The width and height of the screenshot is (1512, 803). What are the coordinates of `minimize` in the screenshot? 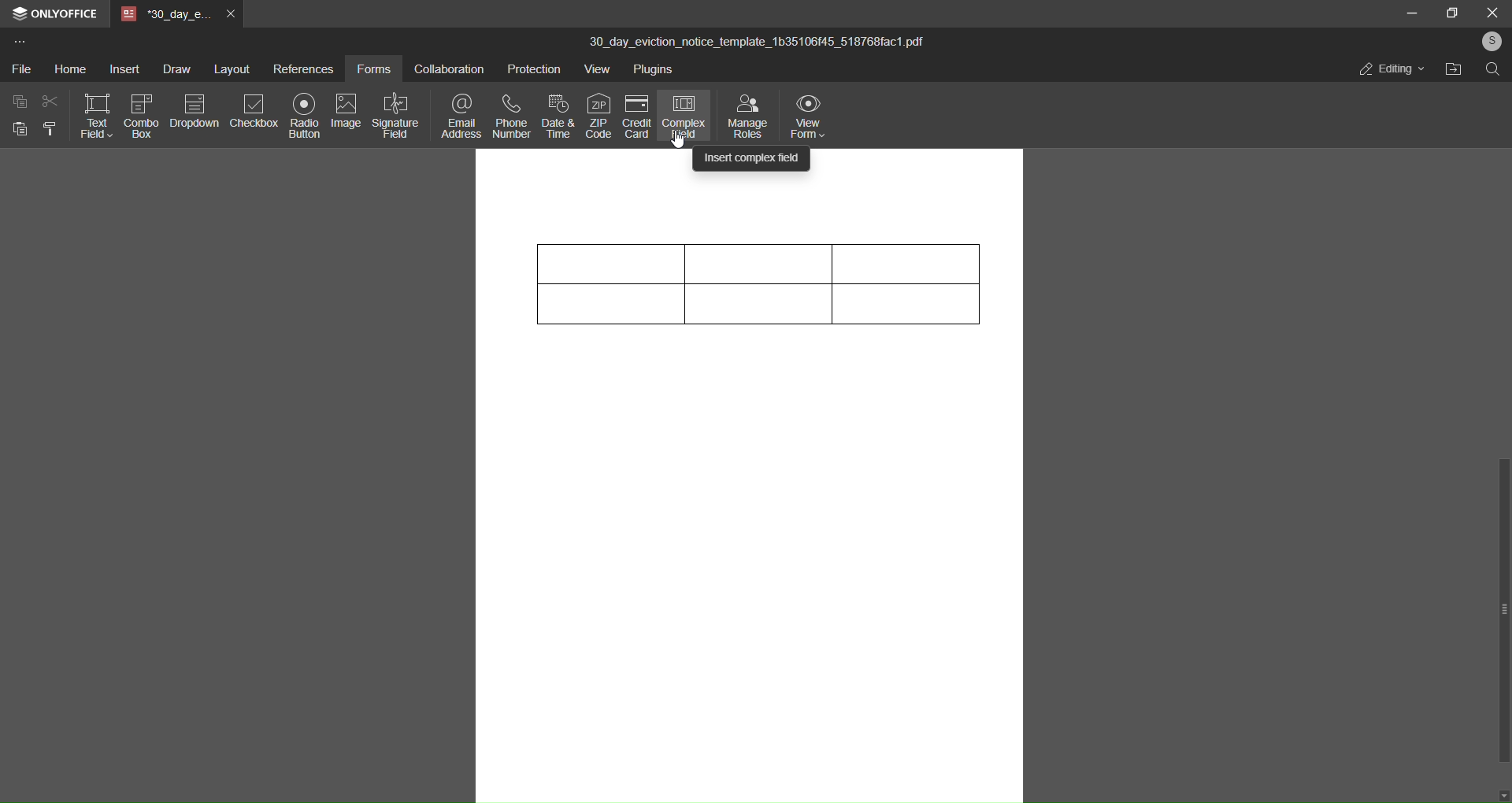 It's located at (1414, 14).